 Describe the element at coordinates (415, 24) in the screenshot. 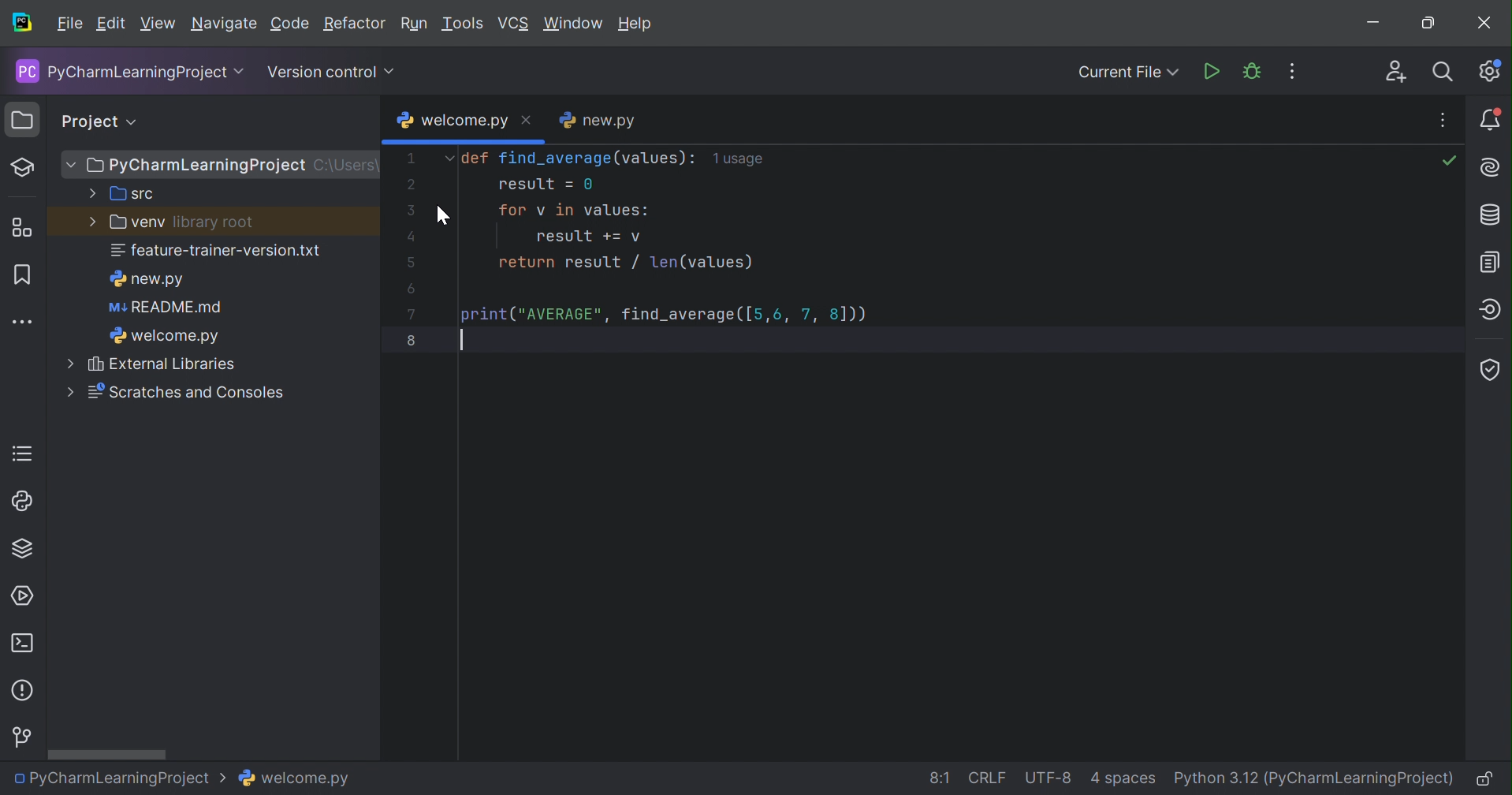

I see `Run` at that location.